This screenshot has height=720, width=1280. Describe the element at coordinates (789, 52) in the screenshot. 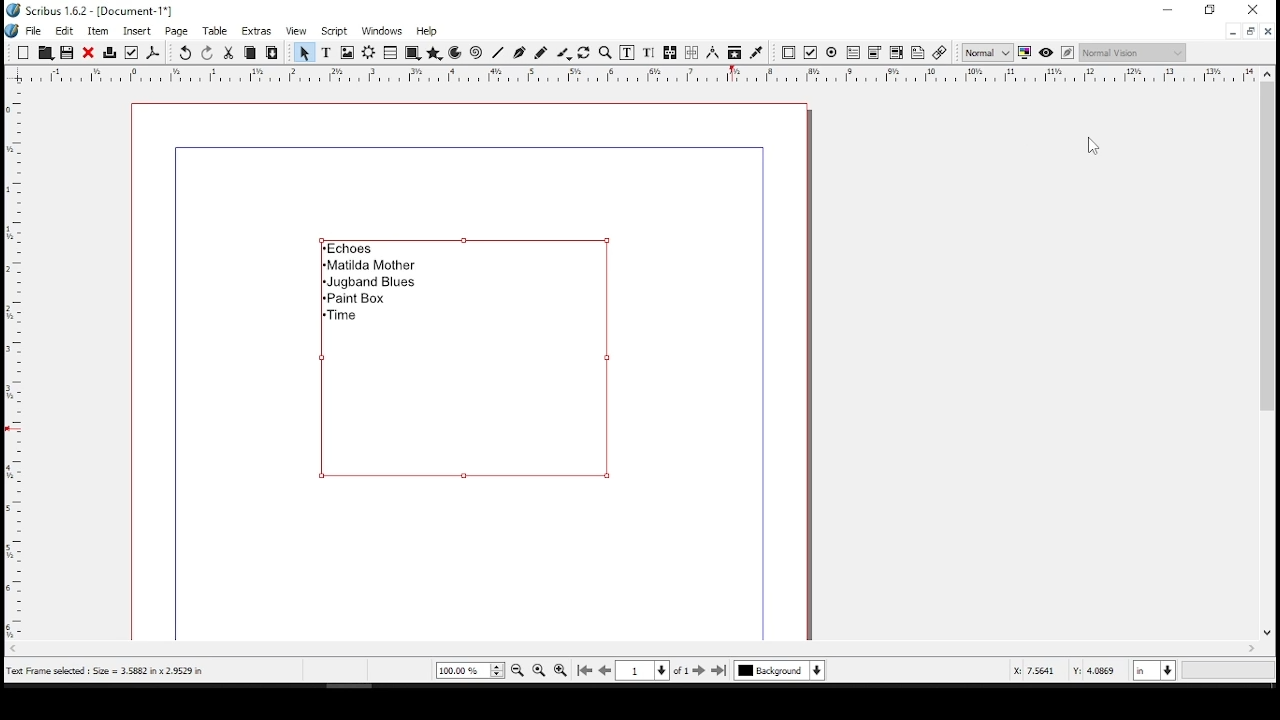

I see `PDF push button` at that location.